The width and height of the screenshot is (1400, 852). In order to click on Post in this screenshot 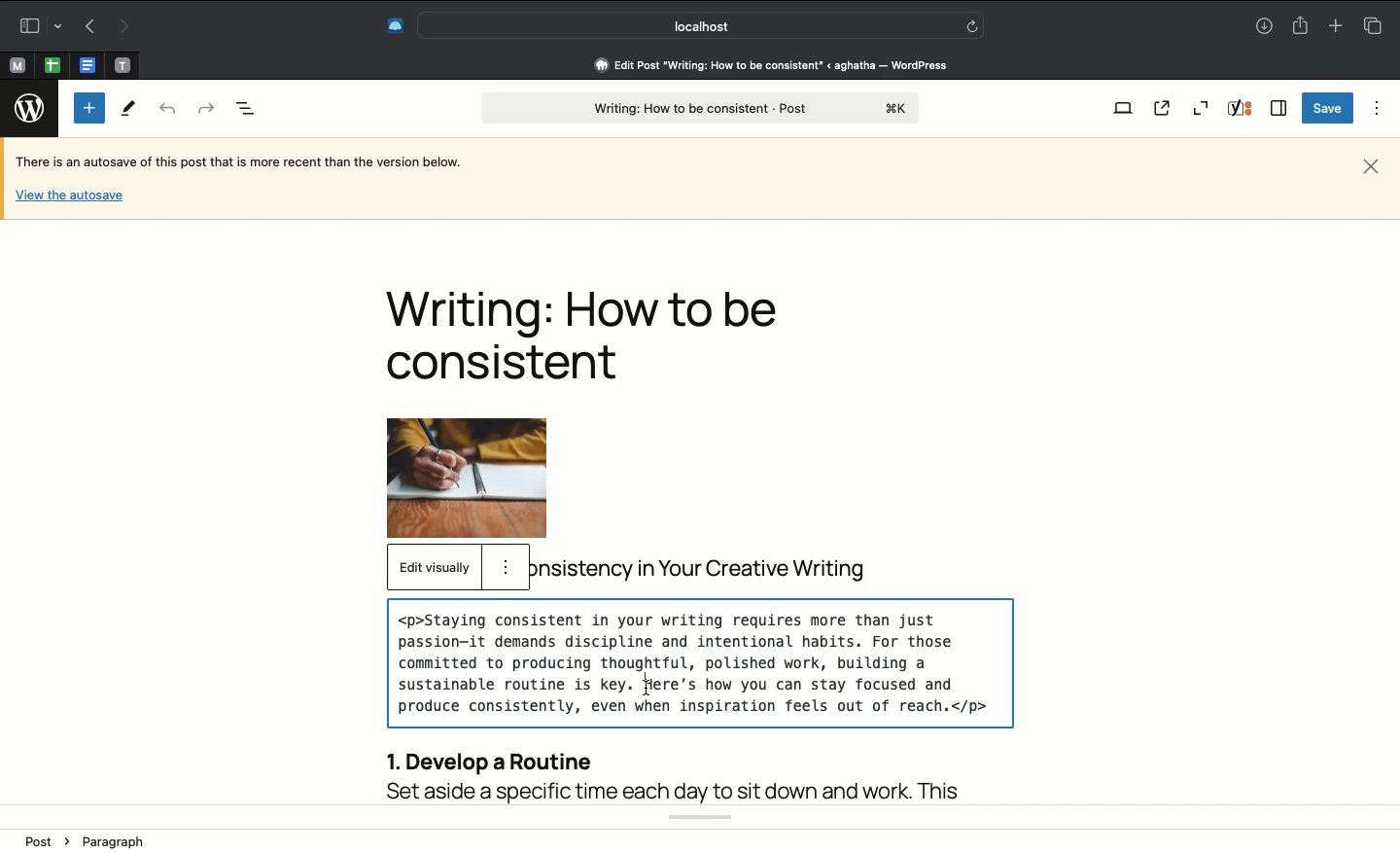, I will do `click(699, 109)`.